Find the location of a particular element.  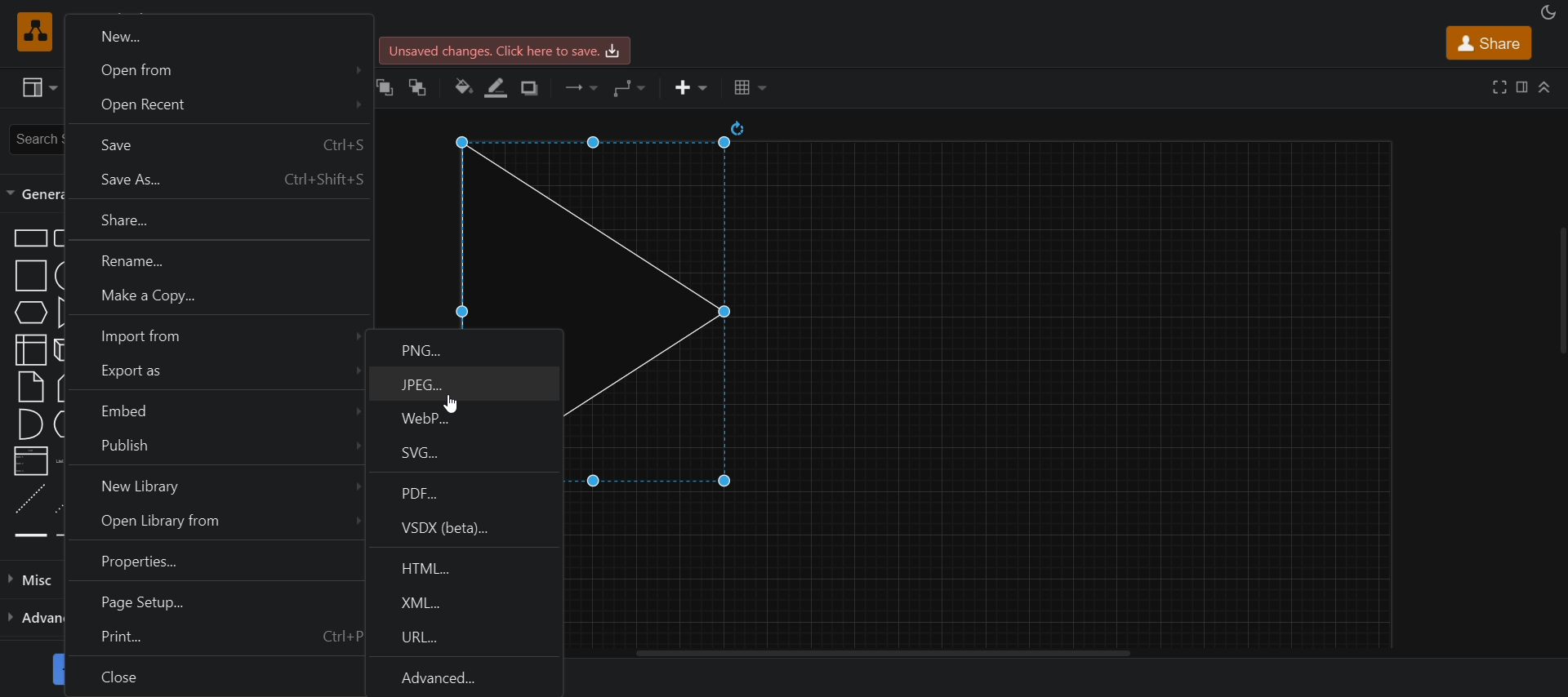

save is located at coordinates (508, 51).